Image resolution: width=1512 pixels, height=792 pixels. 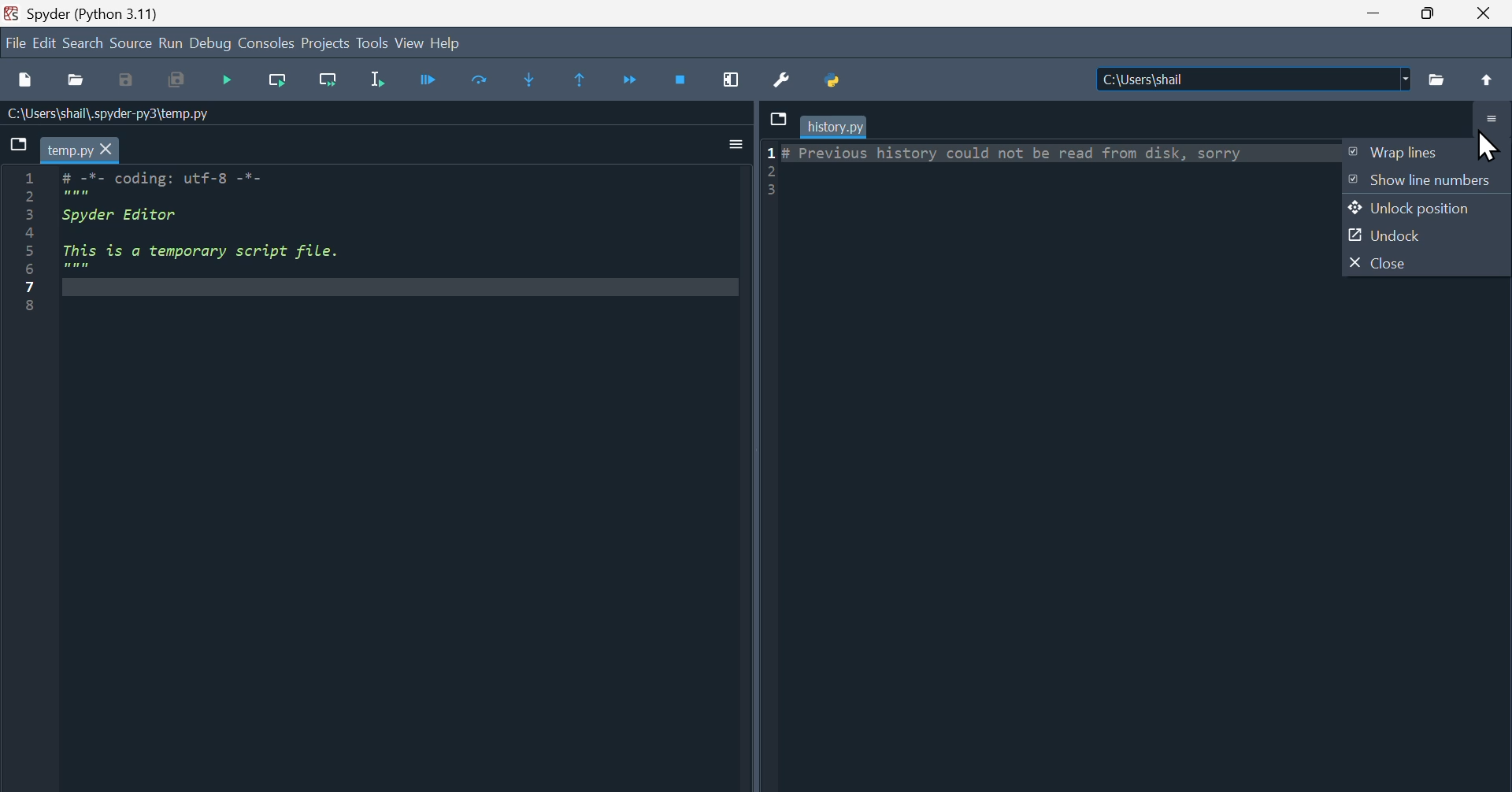 I want to click on Folder, so click(x=1440, y=79).